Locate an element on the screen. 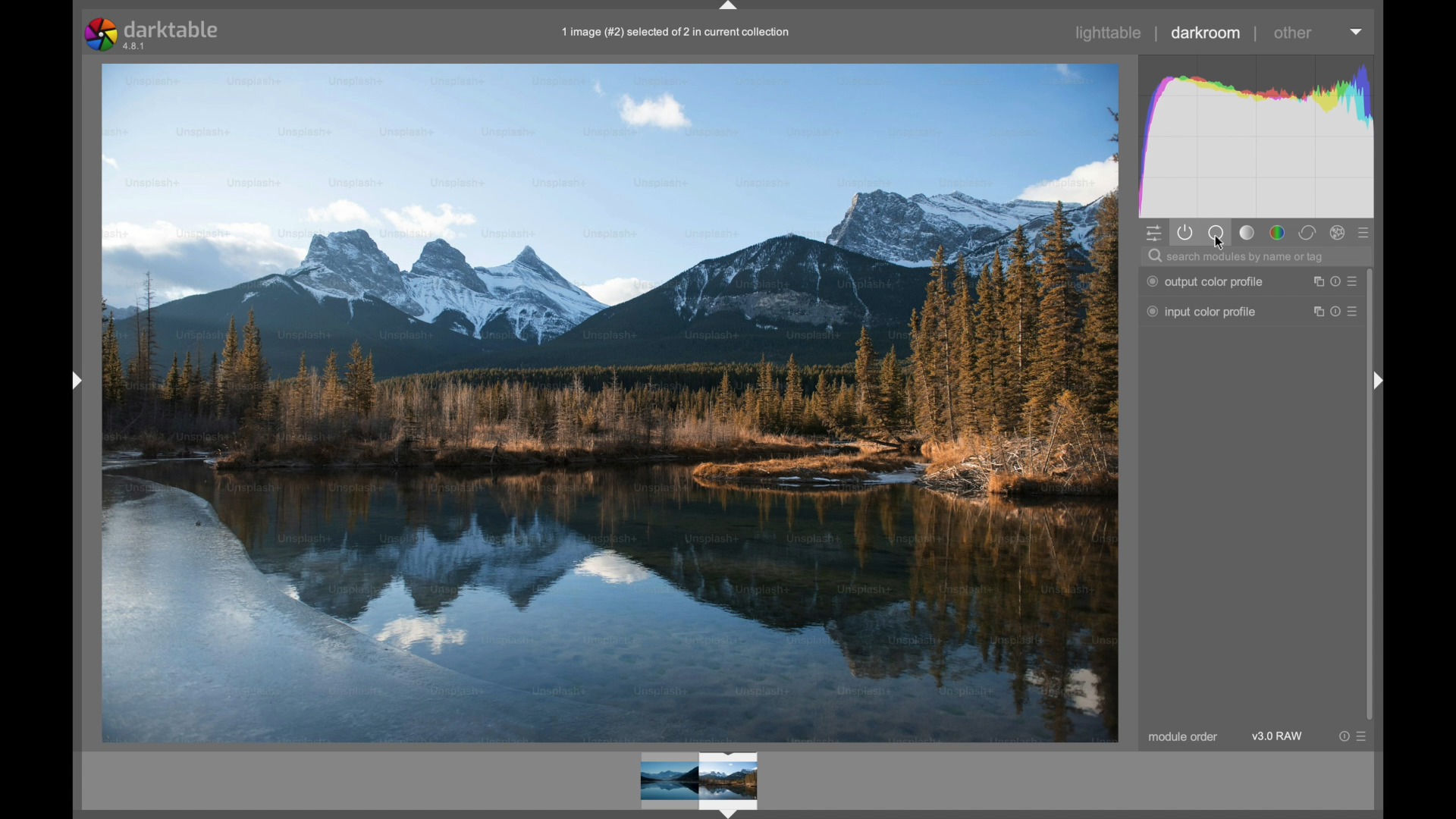 Image resolution: width=1456 pixels, height=819 pixels. drag handle is located at coordinates (77, 381).